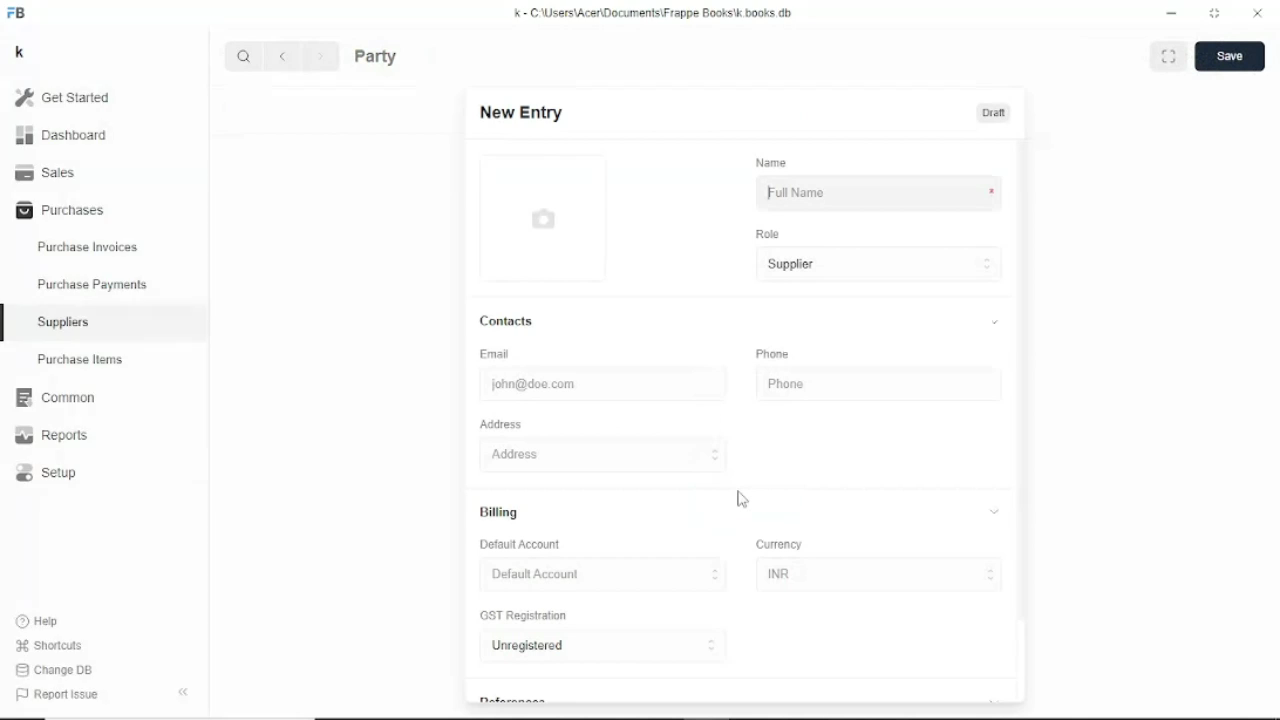 Image resolution: width=1280 pixels, height=720 pixels. Describe the element at coordinates (780, 544) in the screenshot. I see `Currency` at that location.